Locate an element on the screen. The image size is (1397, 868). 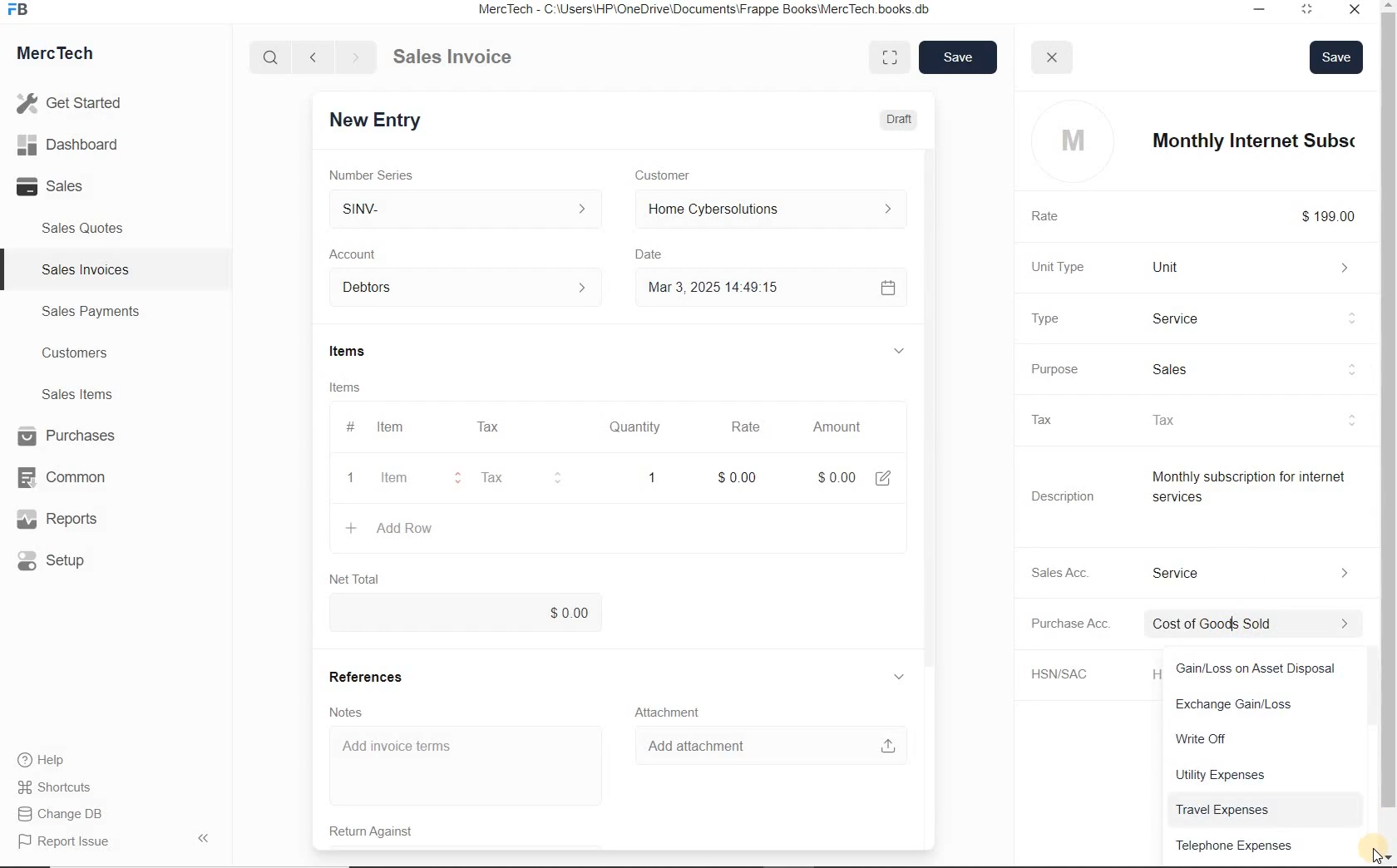
Rate is located at coordinates (1059, 217).